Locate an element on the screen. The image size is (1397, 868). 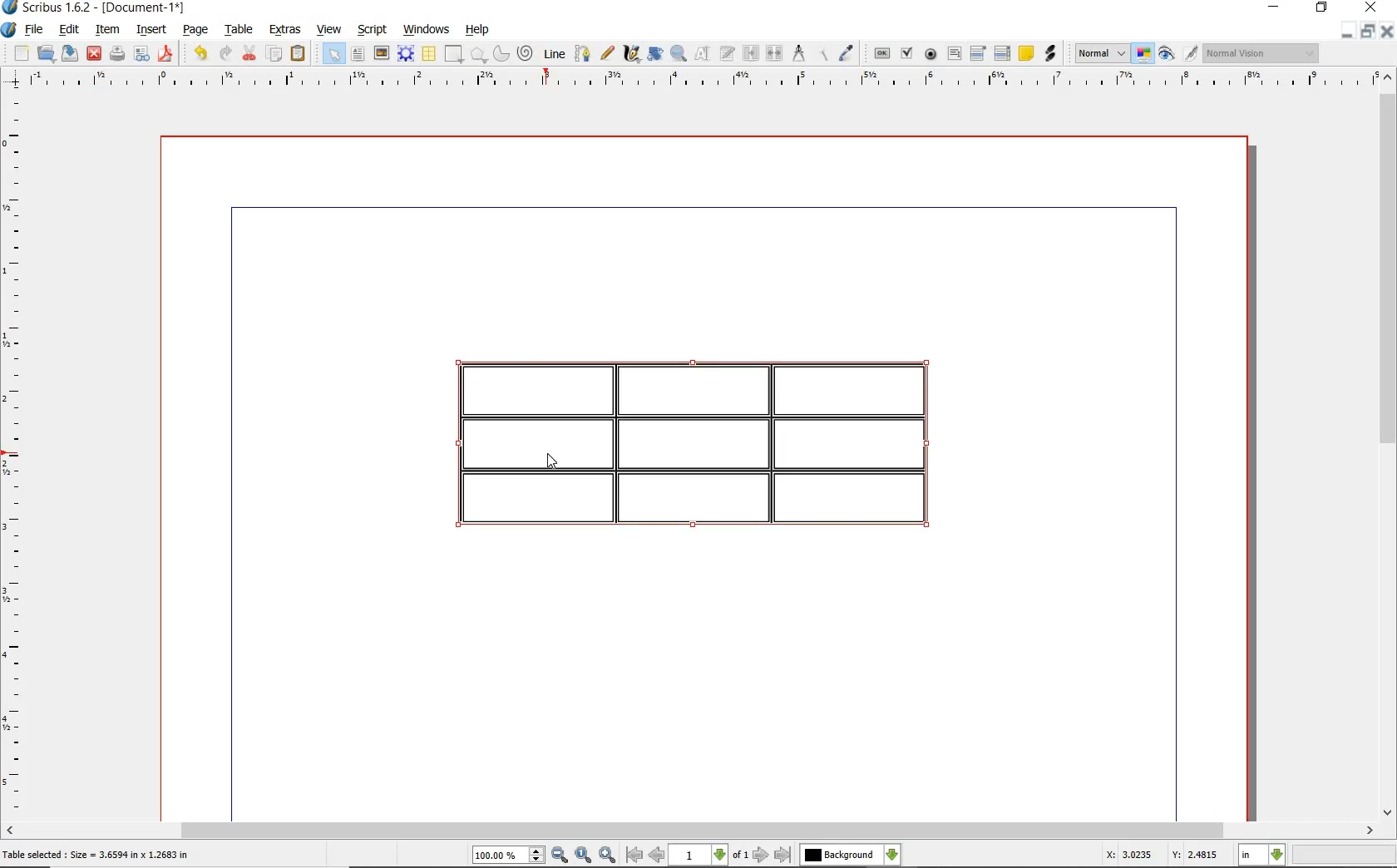
scrollbar is located at coordinates (698, 831).